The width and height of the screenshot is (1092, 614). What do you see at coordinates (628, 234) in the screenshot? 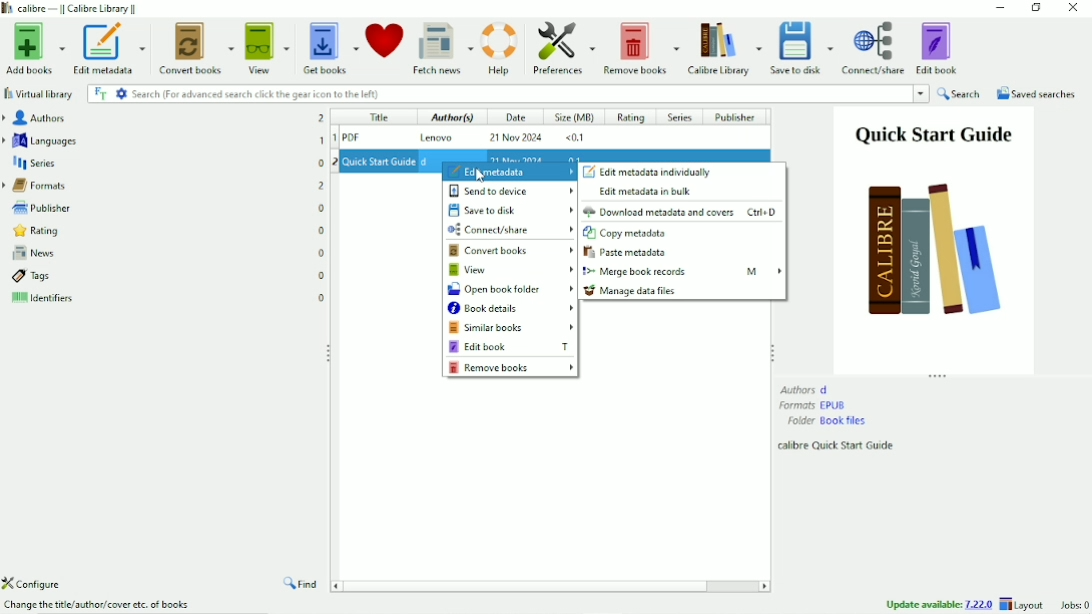
I see `Copy metadata` at bounding box center [628, 234].